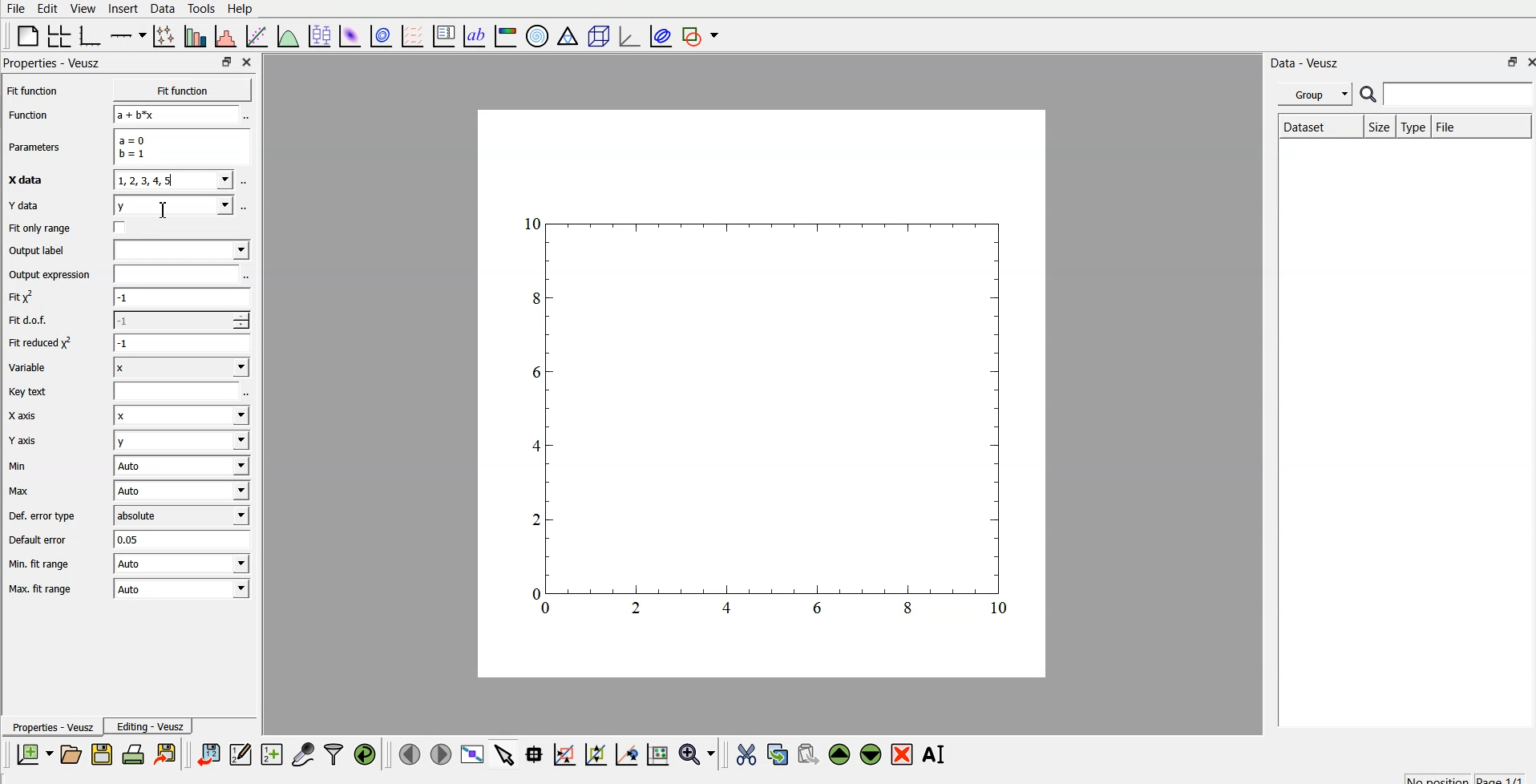  Describe the element at coordinates (766, 418) in the screenshot. I see `graph` at that location.